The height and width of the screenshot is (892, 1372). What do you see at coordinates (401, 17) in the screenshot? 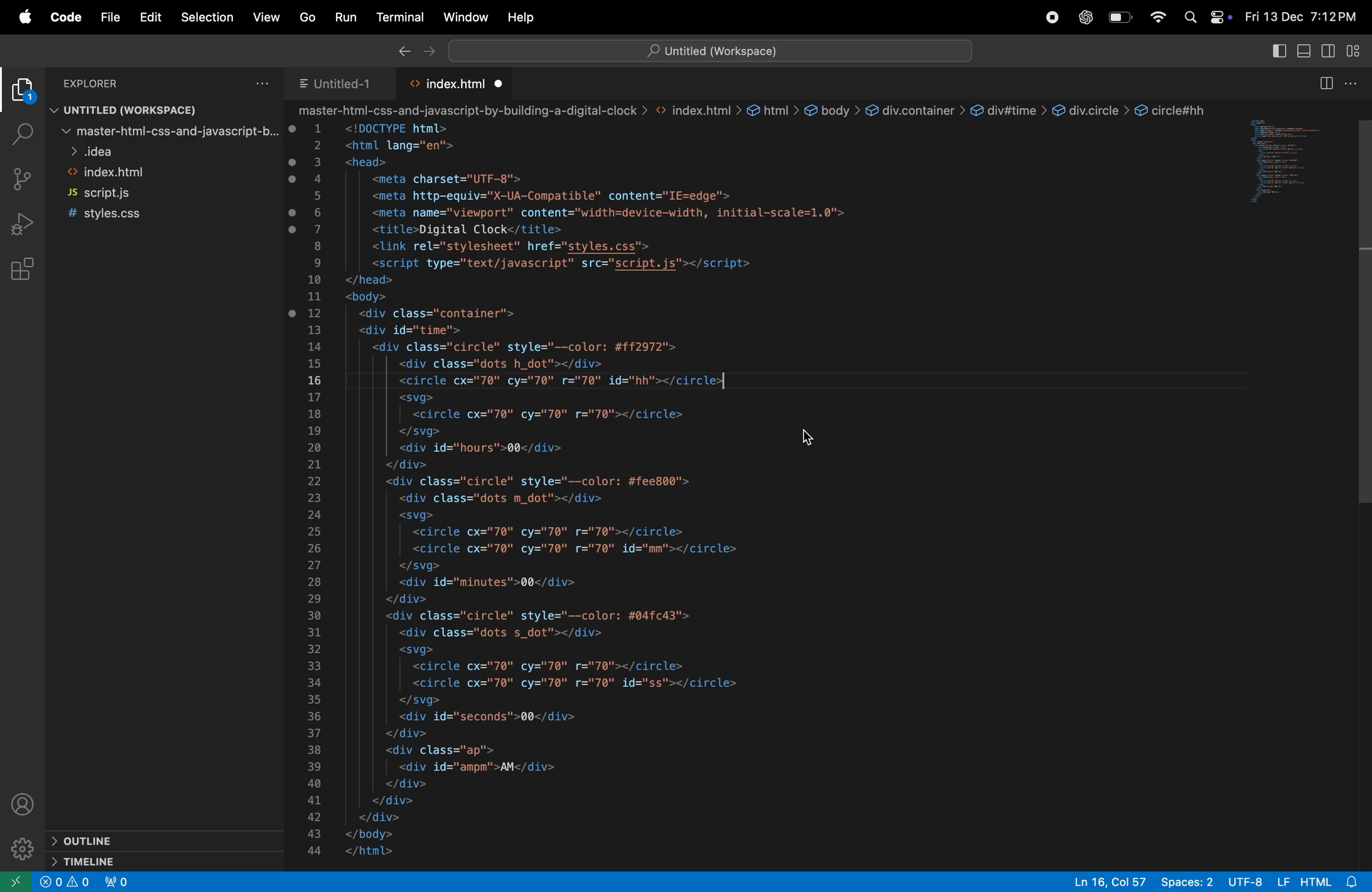
I see `terminal` at bounding box center [401, 17].